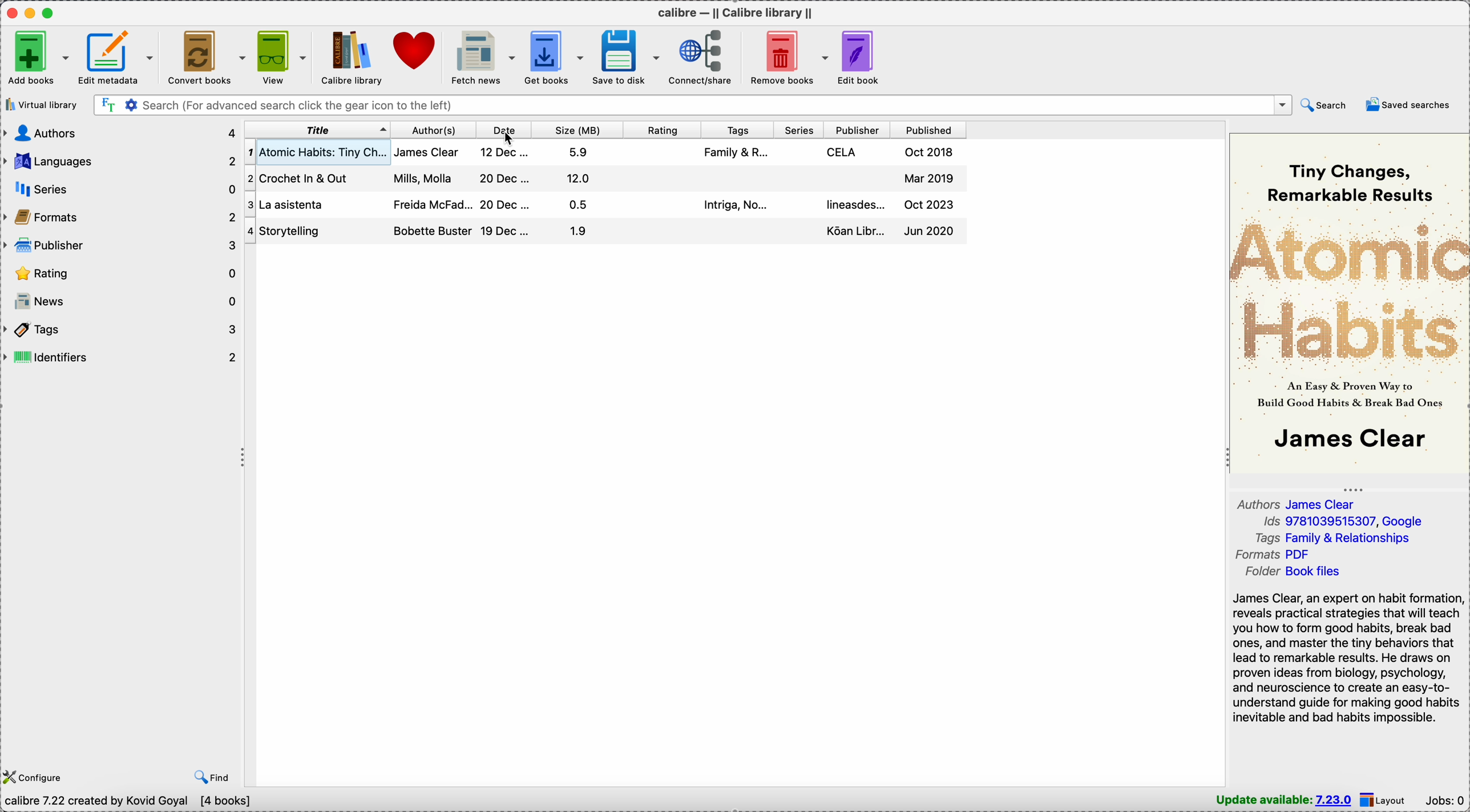 The image size is (1470, 812). I want to click on Ids 9781039515307, Google, so click(1342, 521).